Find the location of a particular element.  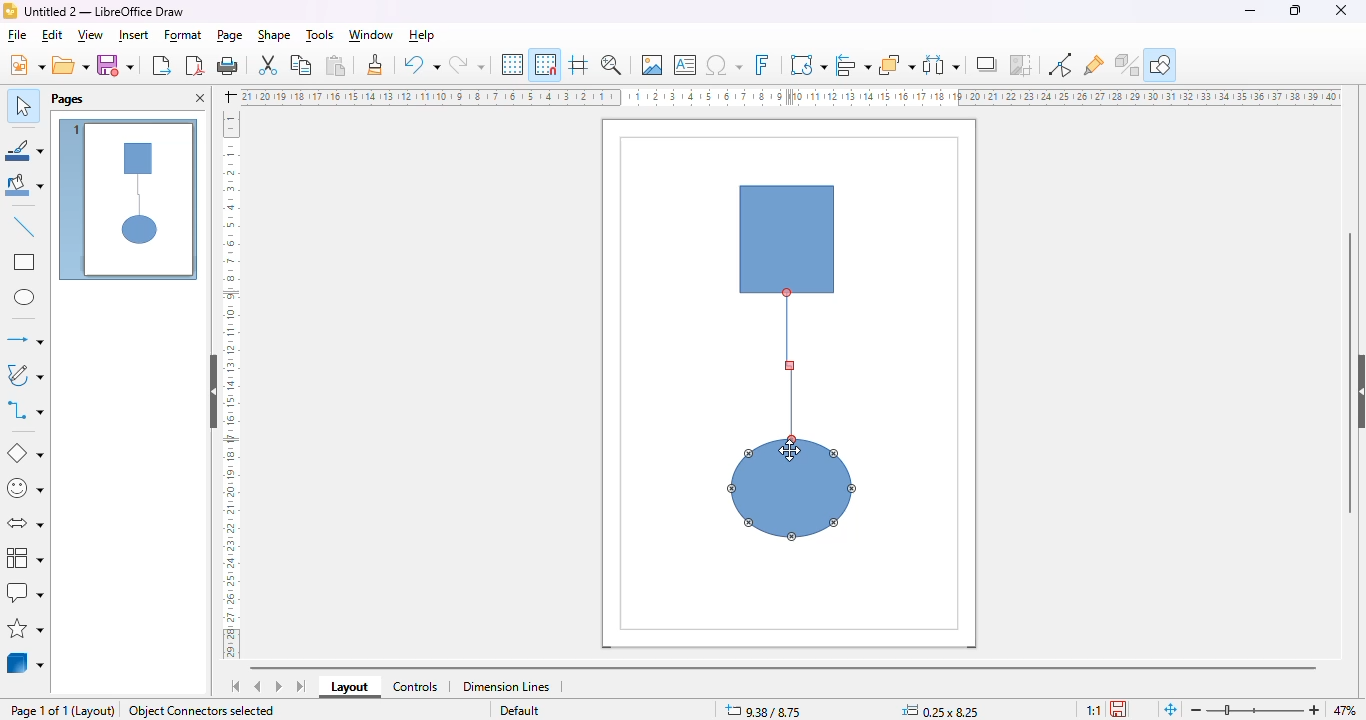

format is located at coordinates (184, 35).